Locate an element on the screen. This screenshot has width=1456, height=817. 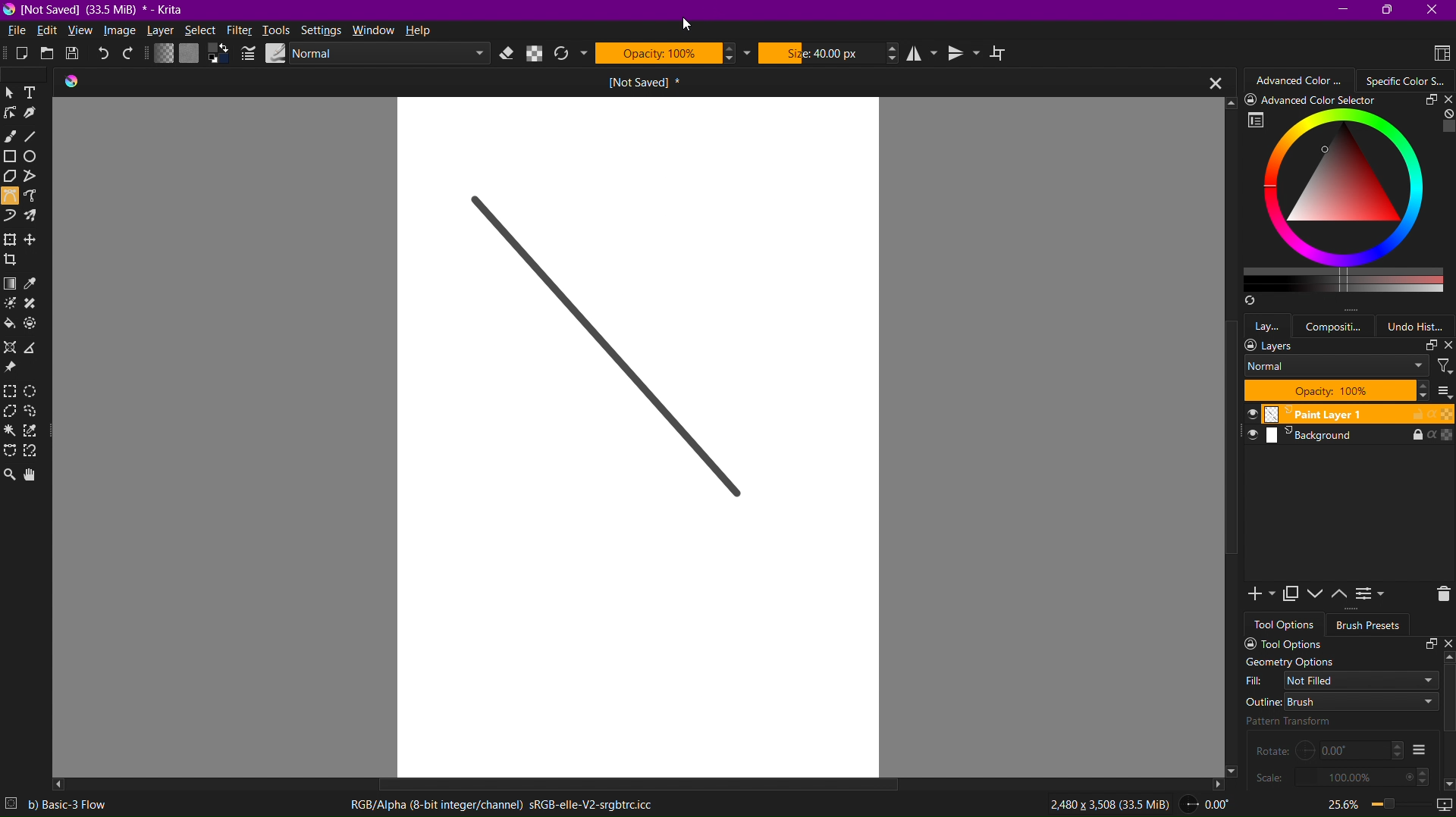
Gradient is located at coordinates (11, 283).